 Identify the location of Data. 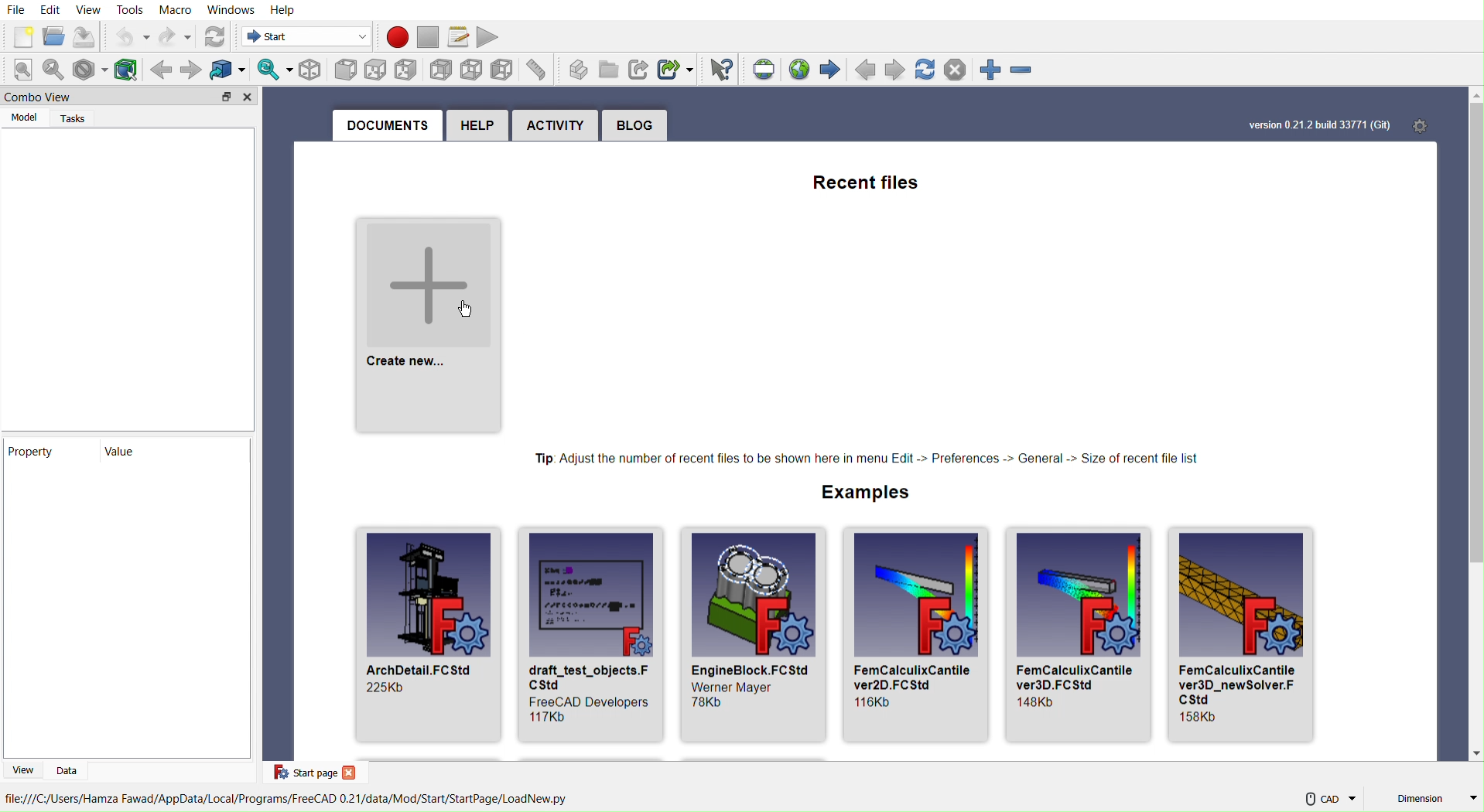
(71, 769).